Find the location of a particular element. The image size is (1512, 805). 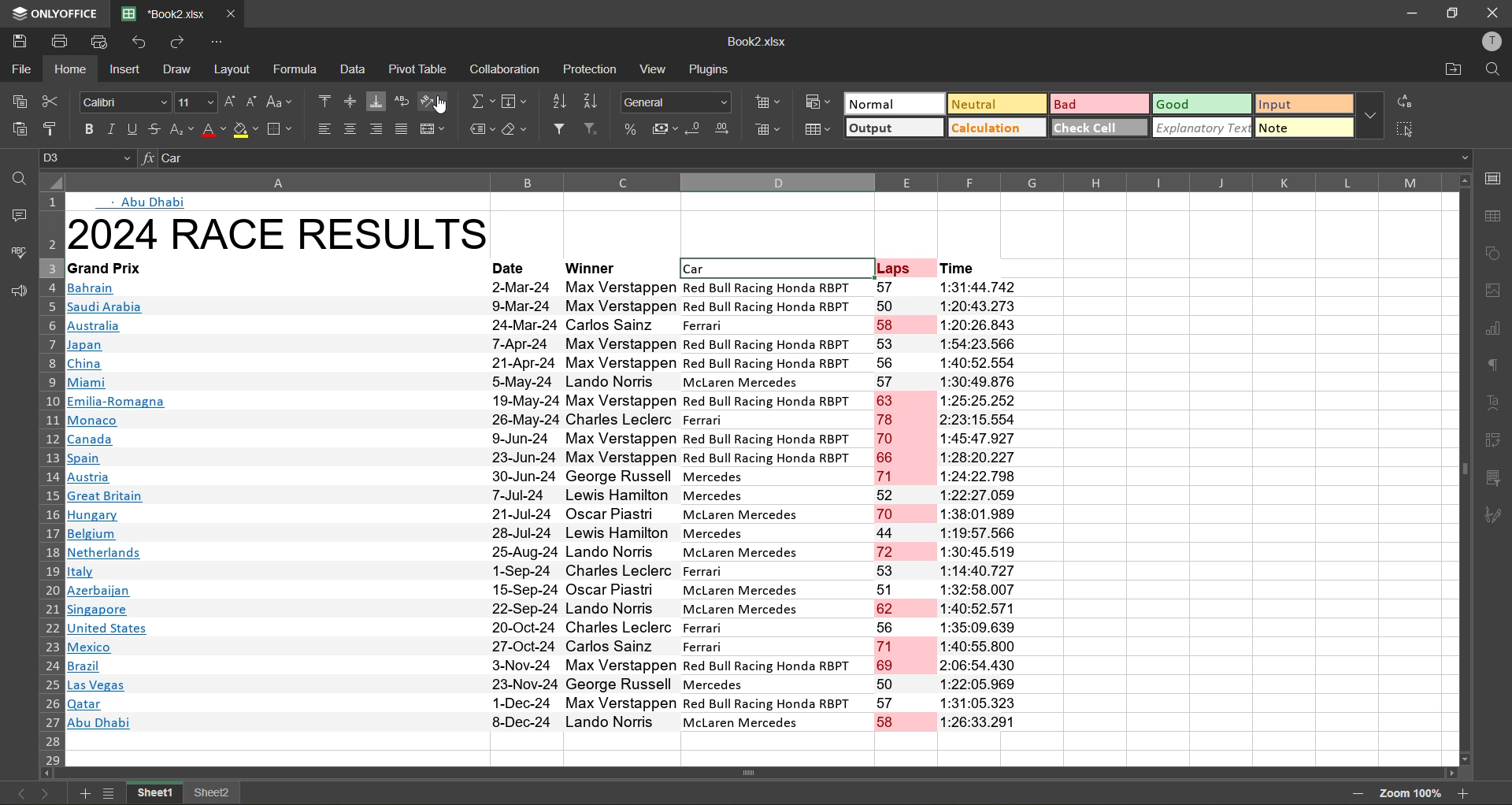

neutral is located at coordinates (997, 105).